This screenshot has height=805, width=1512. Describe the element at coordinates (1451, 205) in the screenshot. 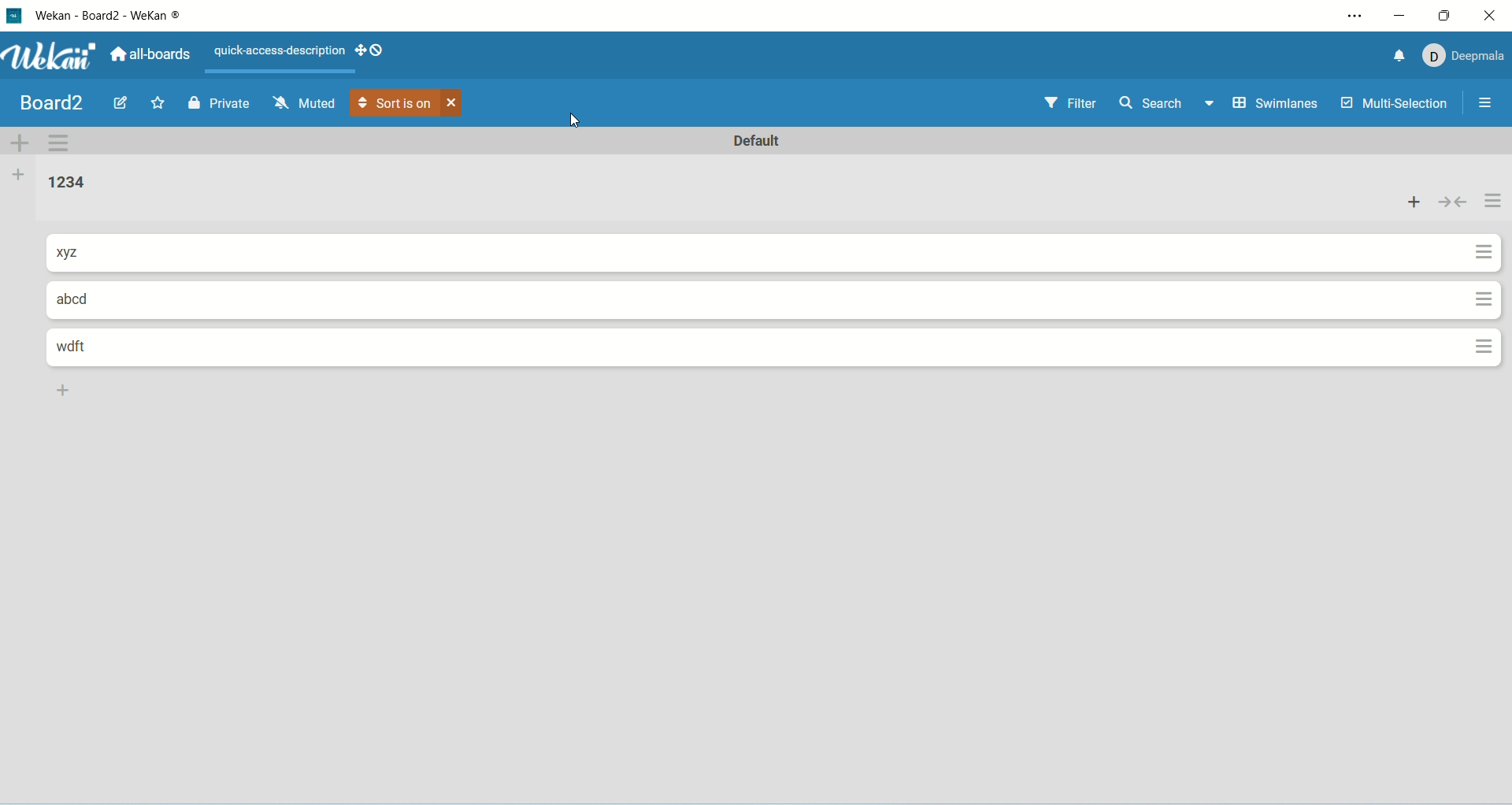

I see `collapse` at that location.